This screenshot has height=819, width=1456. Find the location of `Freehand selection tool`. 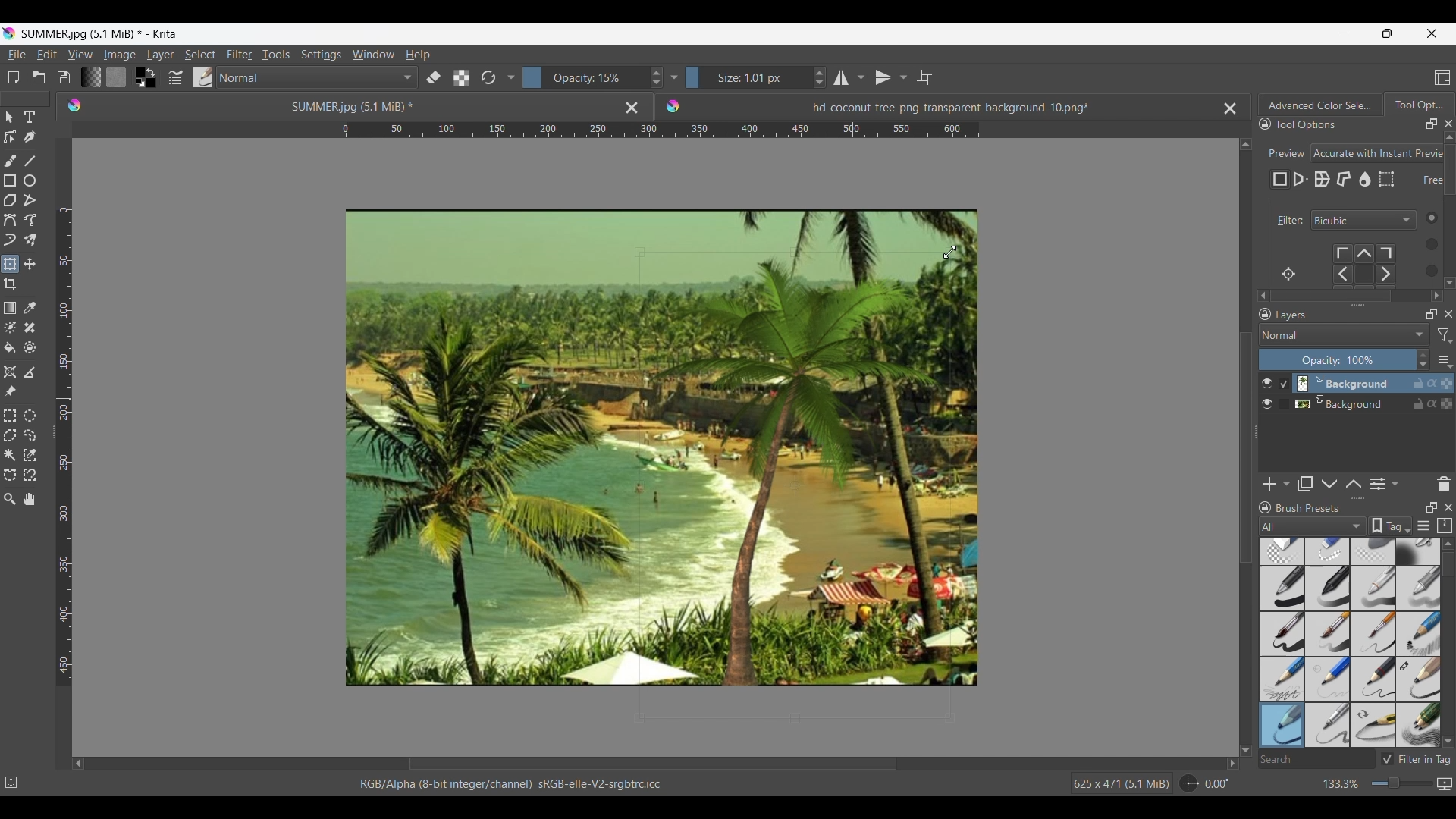

Freehand selection tool is located at coordinates (29, 435).